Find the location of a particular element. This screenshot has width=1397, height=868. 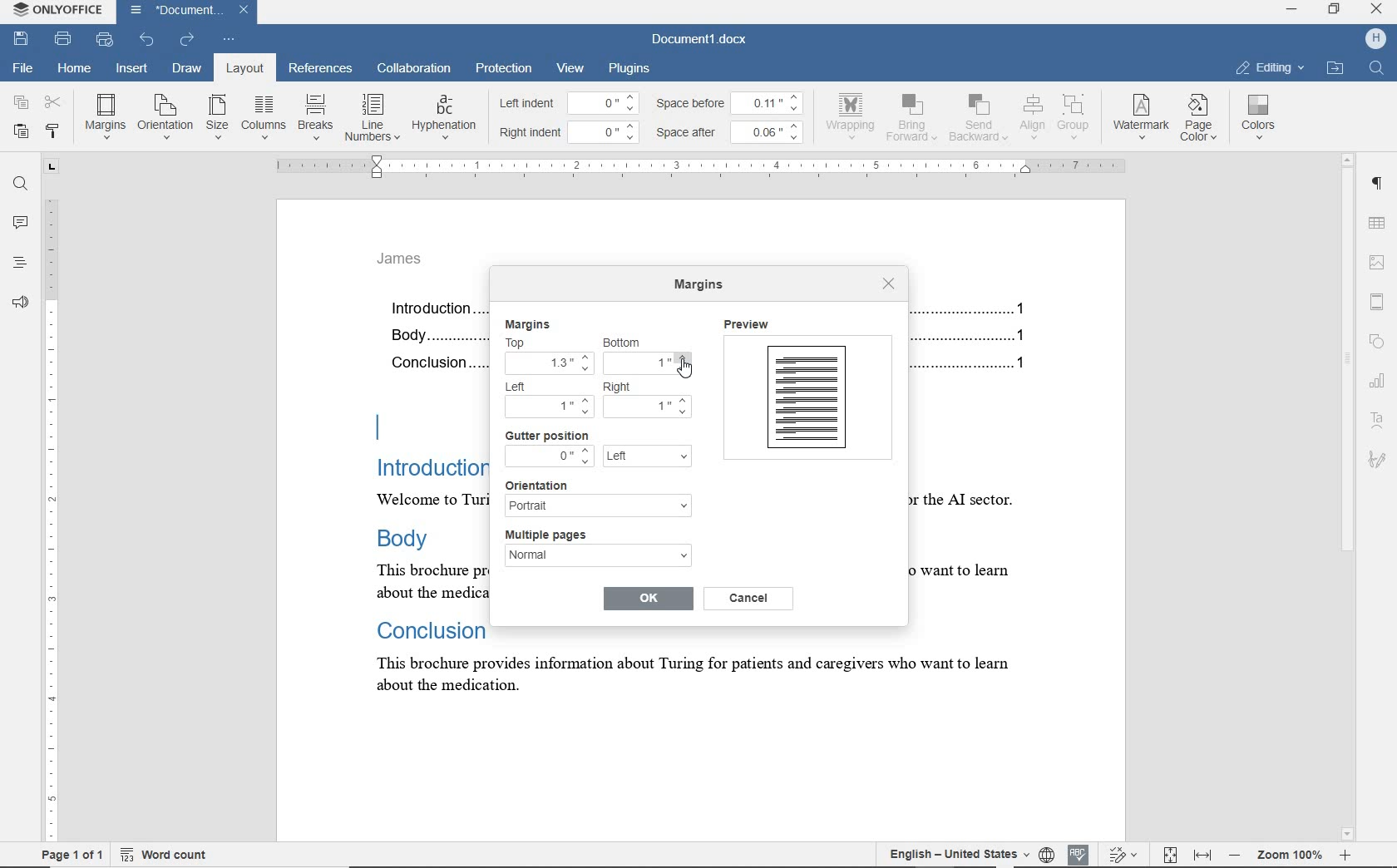

image is located at coordinates (1379, 260).